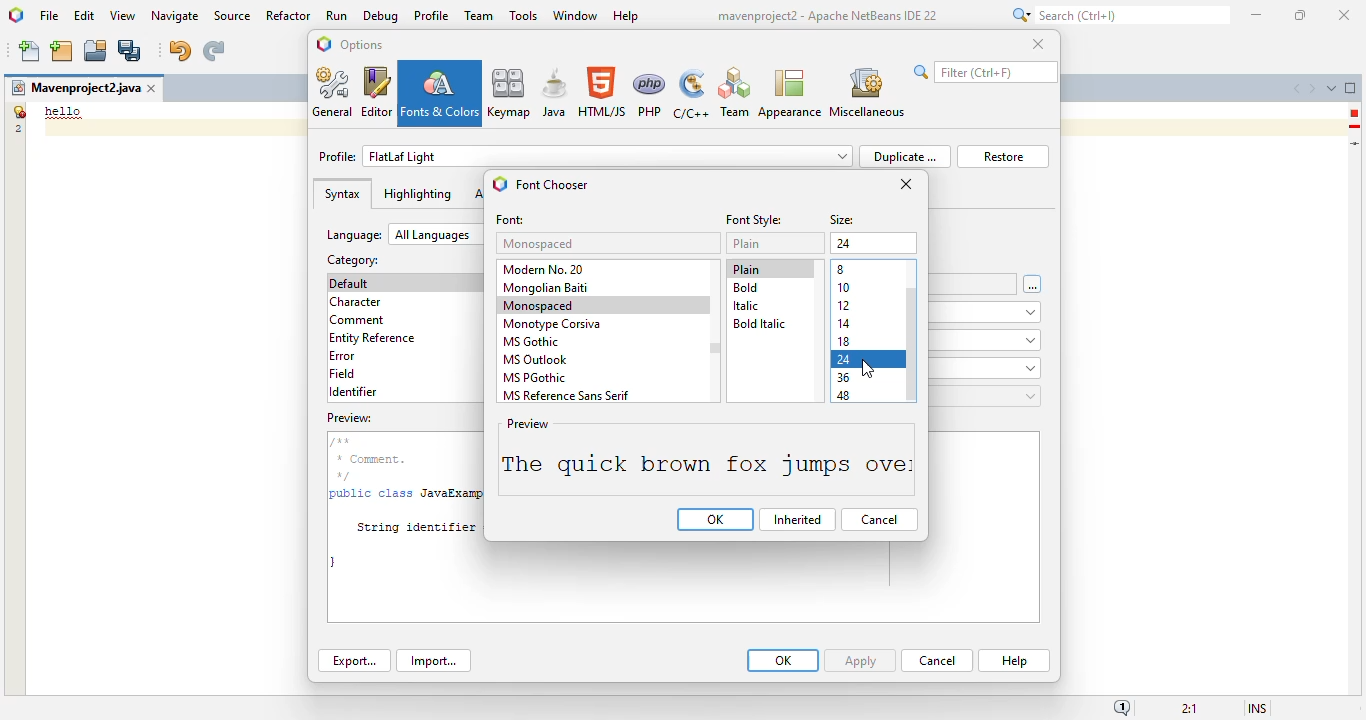  I want to click on open project, so click(96, 51).